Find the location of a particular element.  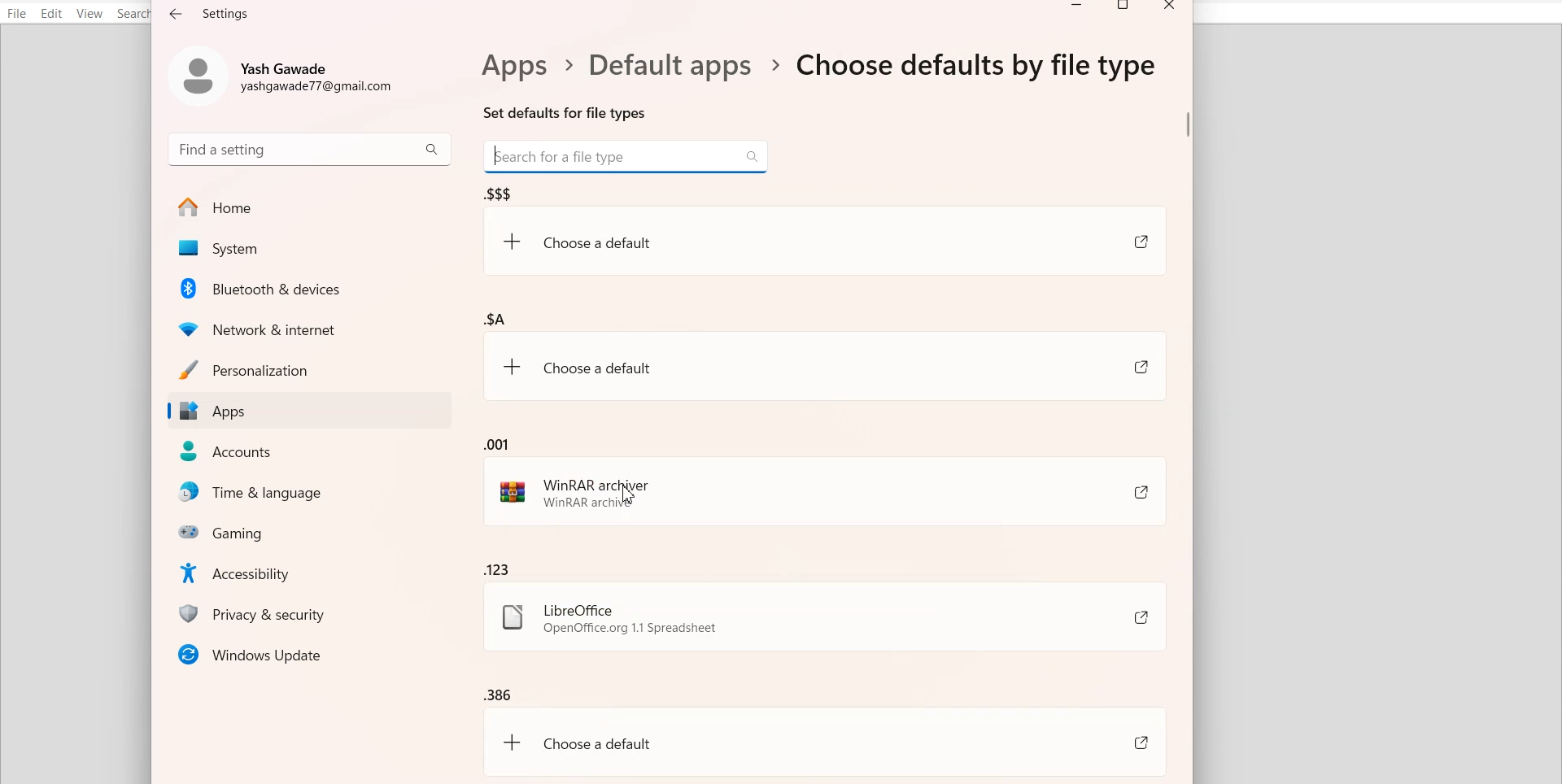

.386 is located at coordinates (824, 730).